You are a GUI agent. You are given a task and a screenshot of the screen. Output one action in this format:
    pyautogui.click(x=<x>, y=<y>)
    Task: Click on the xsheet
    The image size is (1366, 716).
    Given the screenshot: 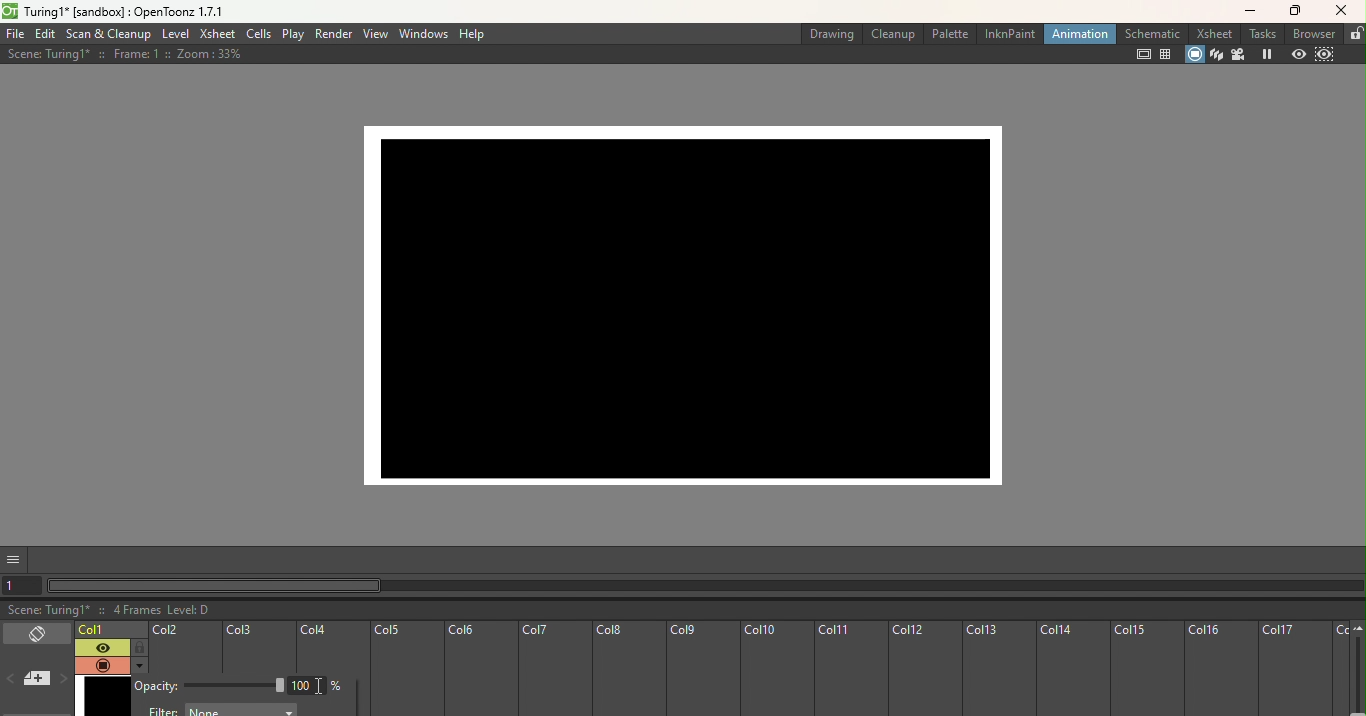 What is the action you would take?
    pyautogui.click(x=216, y=34)
    